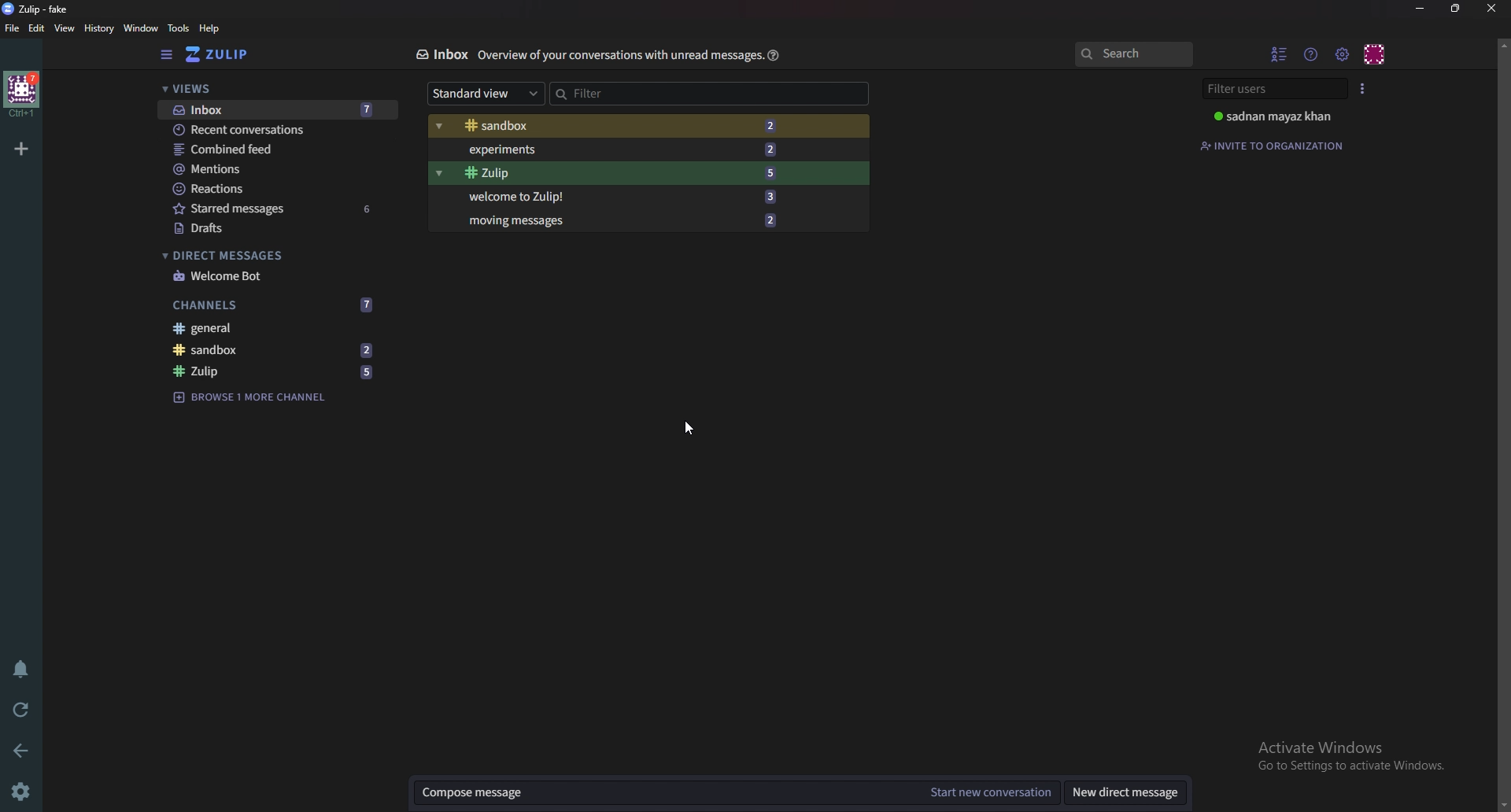 The width and height of the screenshot is (1511, 812). Describe the element at coordinates (1281, 116) in the screenshot. I see `User` at that location.